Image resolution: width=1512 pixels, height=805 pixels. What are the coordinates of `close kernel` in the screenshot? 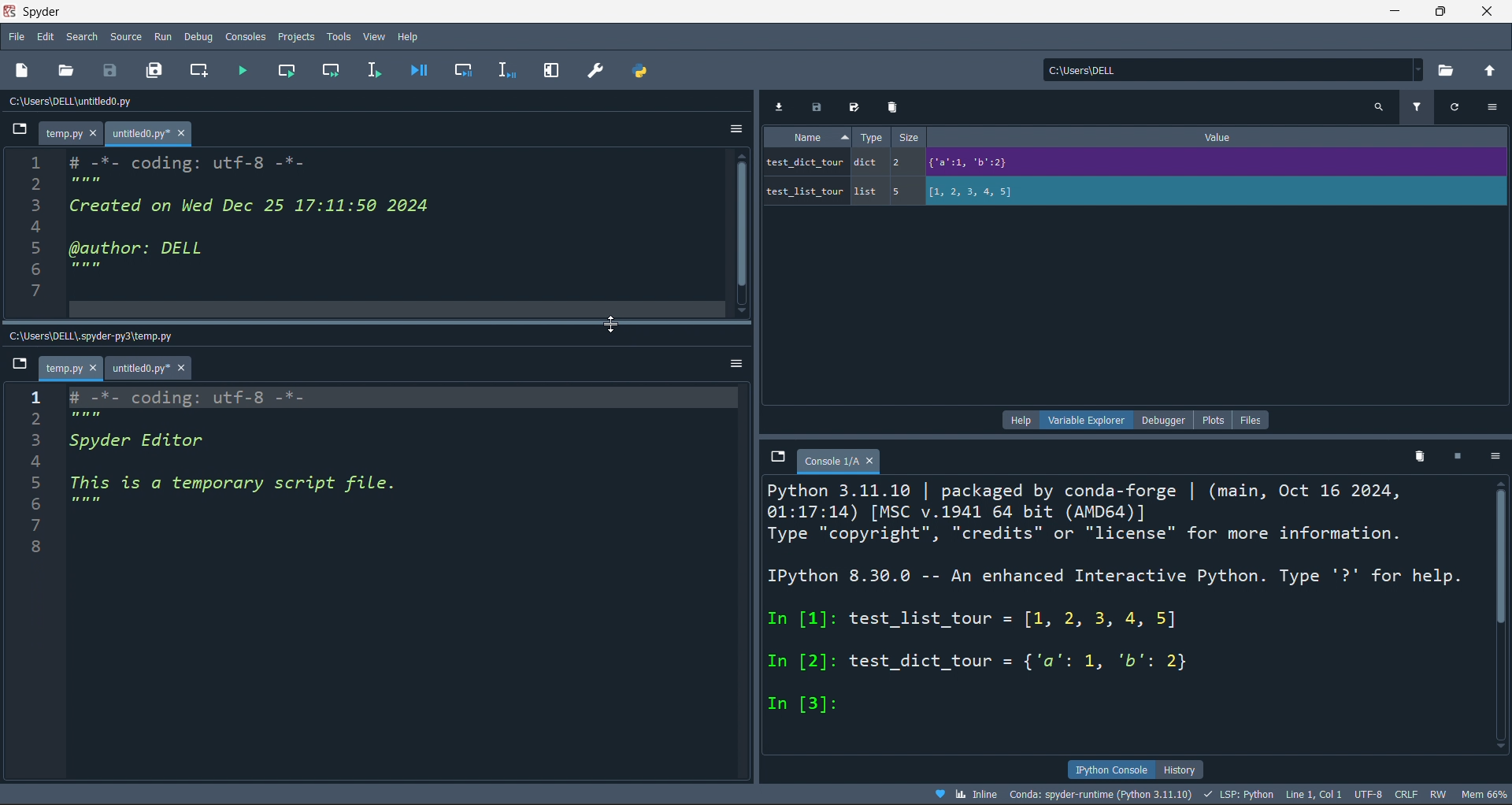 It's located at (1457, 459).